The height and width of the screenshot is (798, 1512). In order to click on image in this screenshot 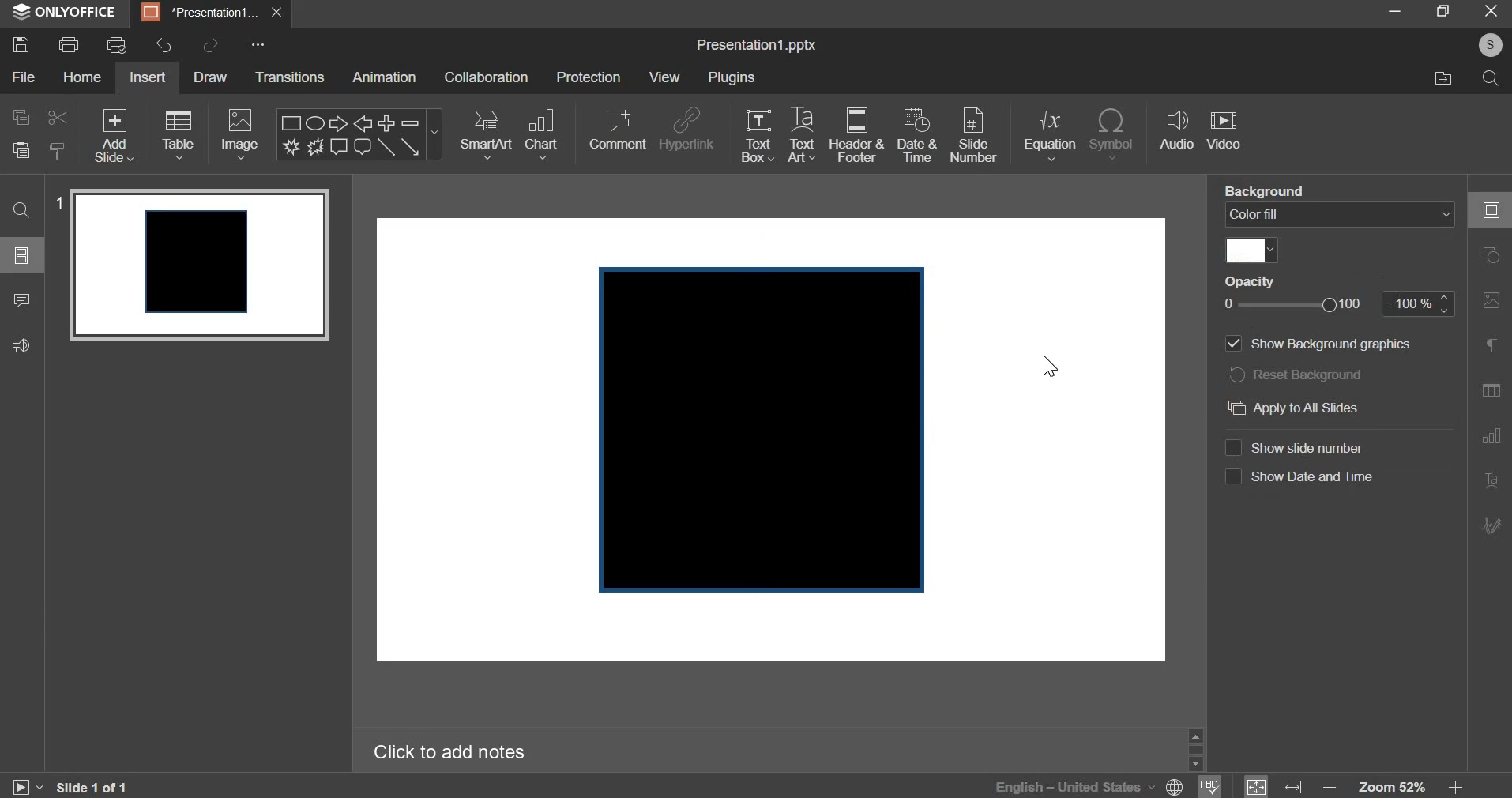, I will do `click(239, 136)`.